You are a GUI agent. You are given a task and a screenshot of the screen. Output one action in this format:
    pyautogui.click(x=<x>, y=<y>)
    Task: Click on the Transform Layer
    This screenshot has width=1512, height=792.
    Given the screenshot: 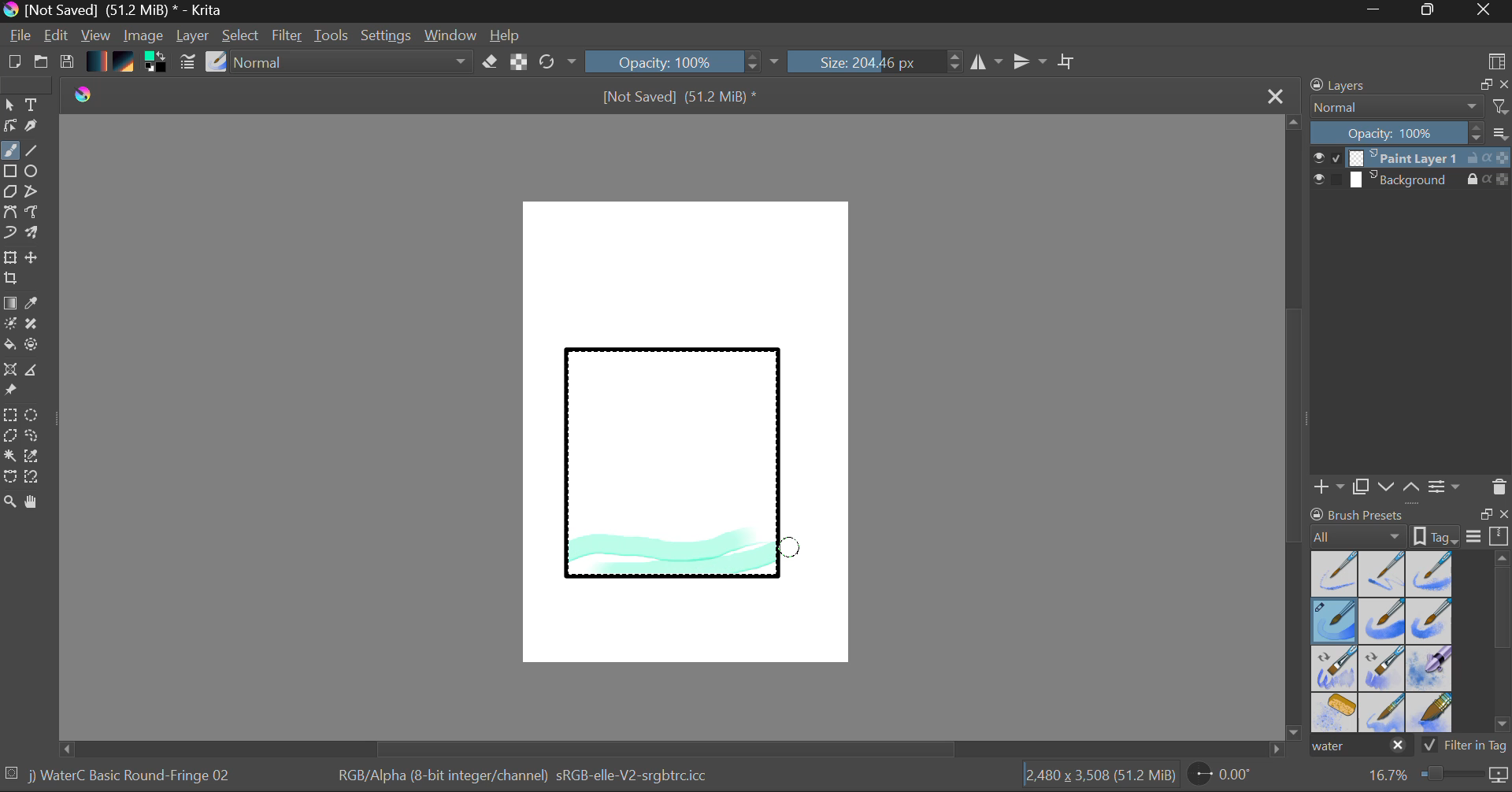 What is the action you would take?
    pyautogui.click(x=9, y=256)
    